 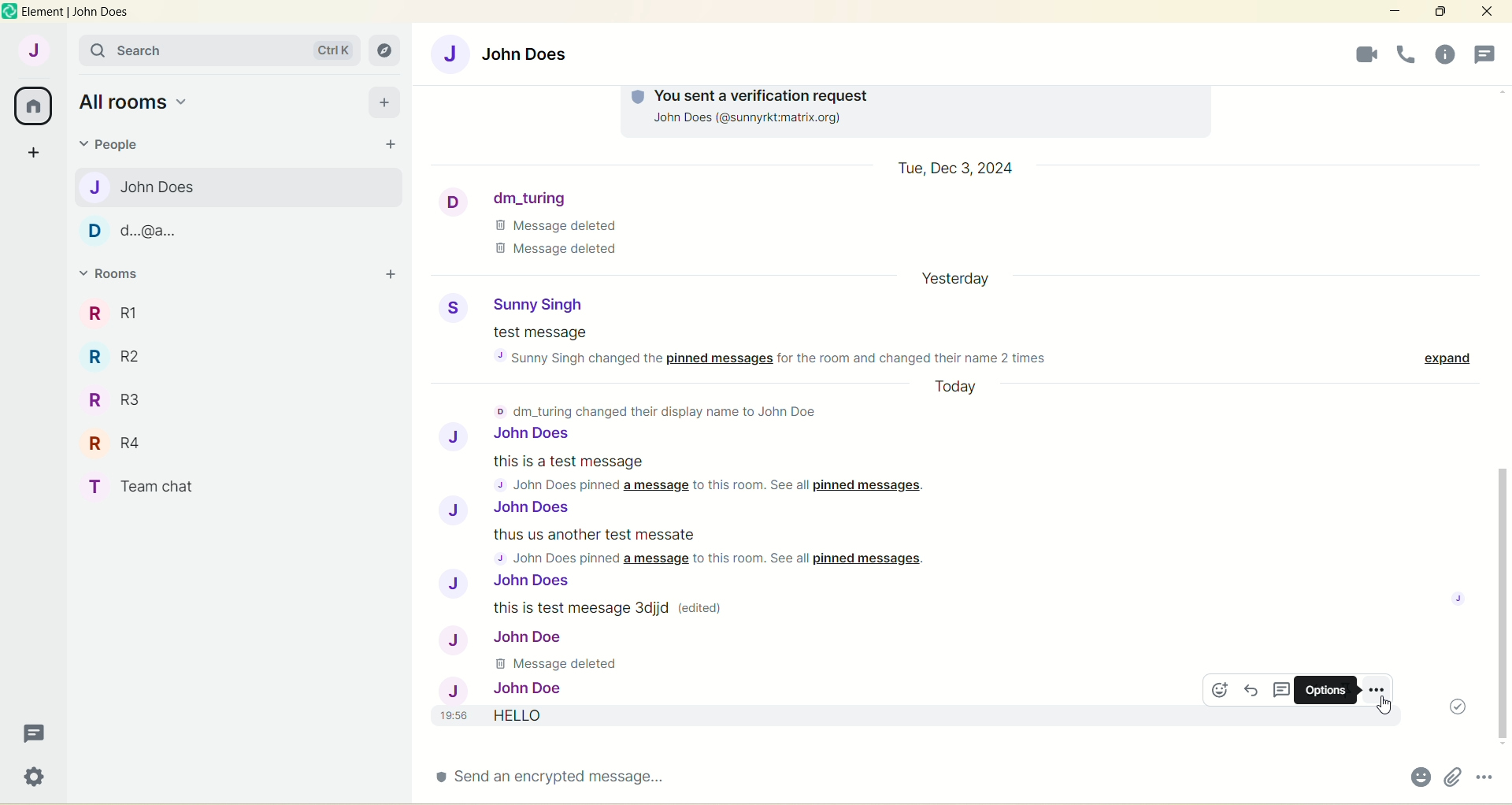 What do you see at coordinates (77, 13) in the screenshot?
I see `Element | John Does ` at bounding box center [77, 13].